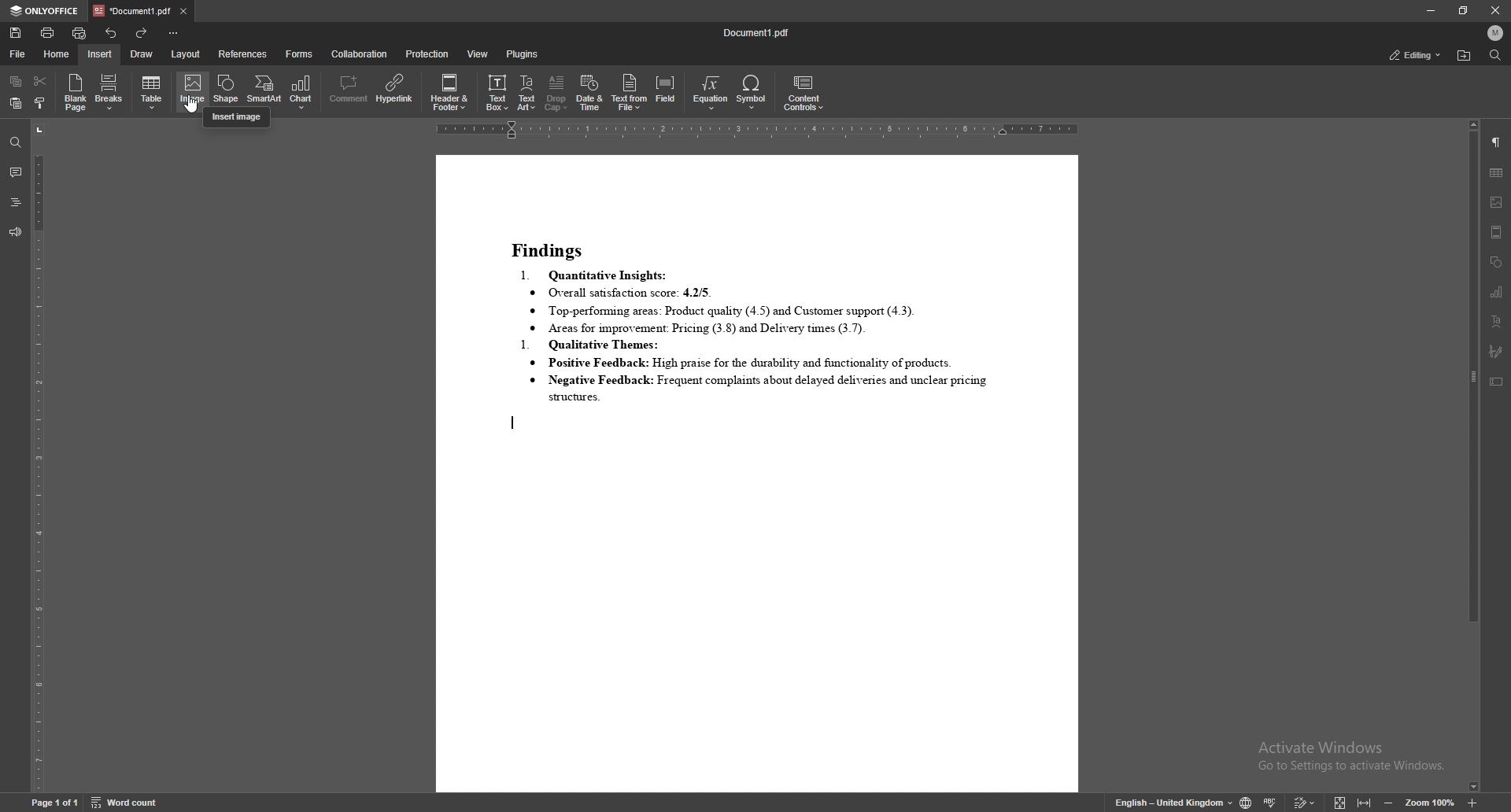 This screenshot has height=812, width=1511. Describe the element at coordinates (110, 91) in the screenshot. I see `breaks` at that location.